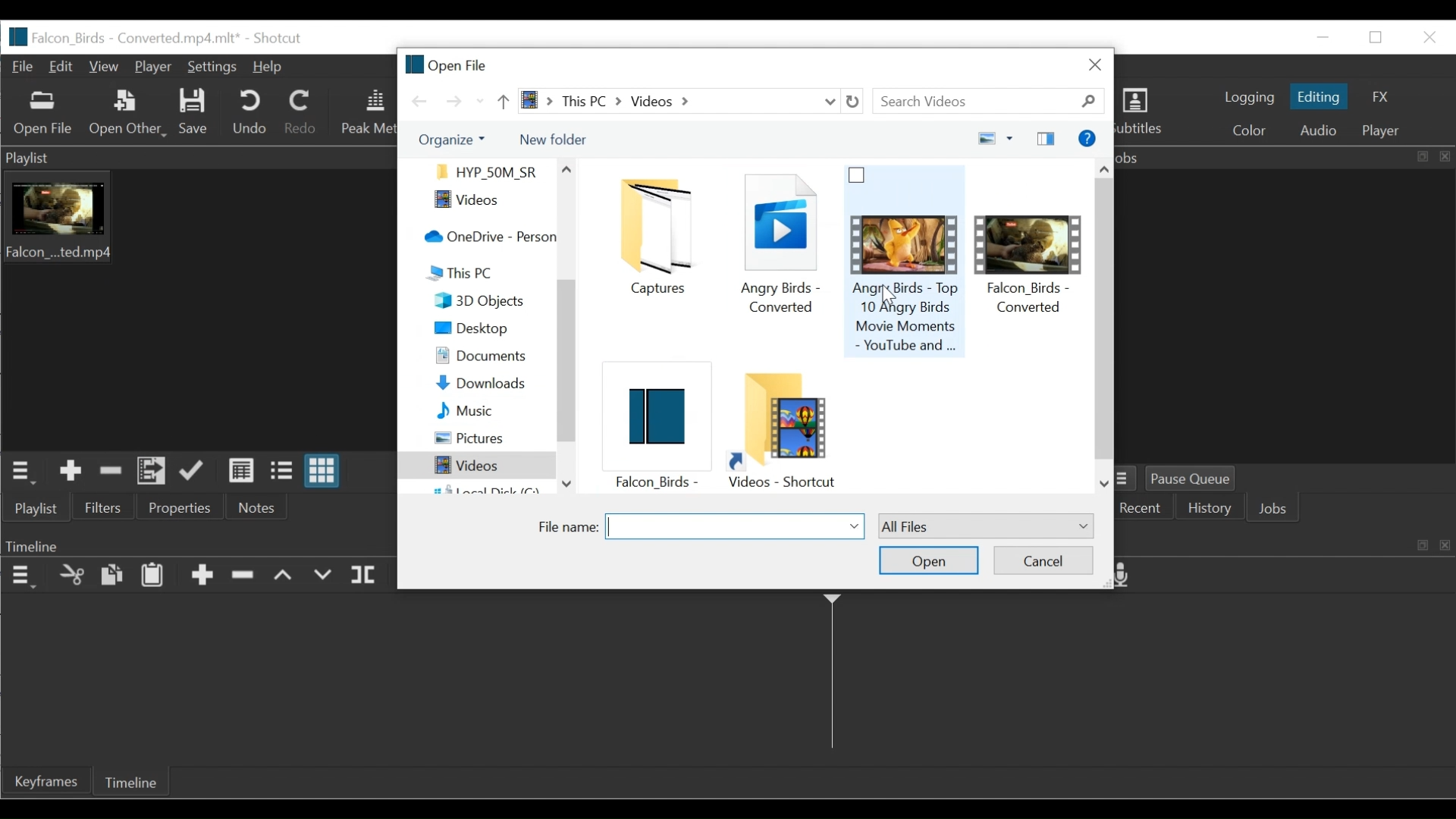 This screenshot has height=819, width=1456. What do you see at coordinates (130, 781) in the screenshot?
I see `Timeline` at bounding box center [130, 781].